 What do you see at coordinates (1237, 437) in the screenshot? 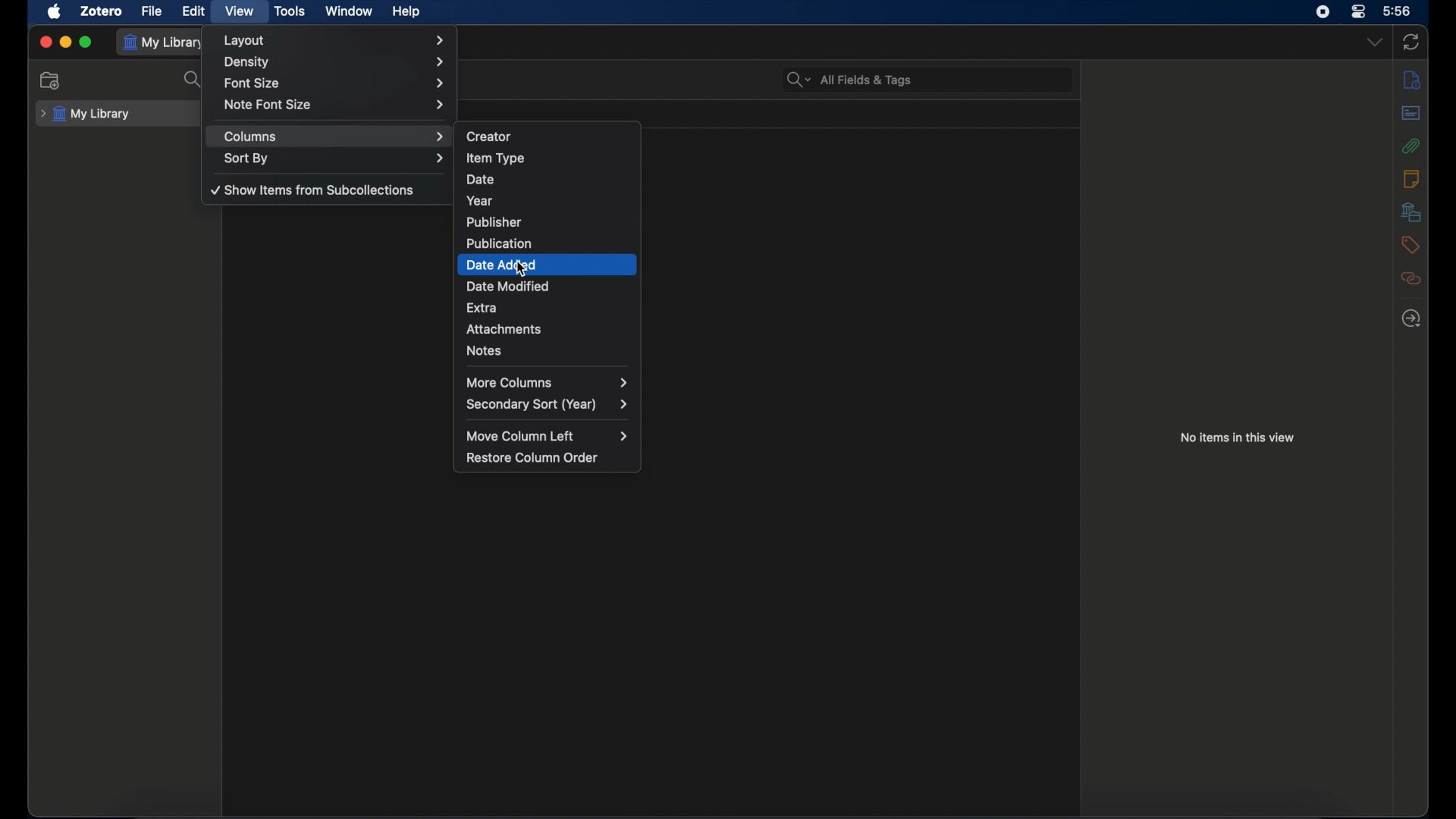
I see `no item in this view` at bounding box center [1237, 437].